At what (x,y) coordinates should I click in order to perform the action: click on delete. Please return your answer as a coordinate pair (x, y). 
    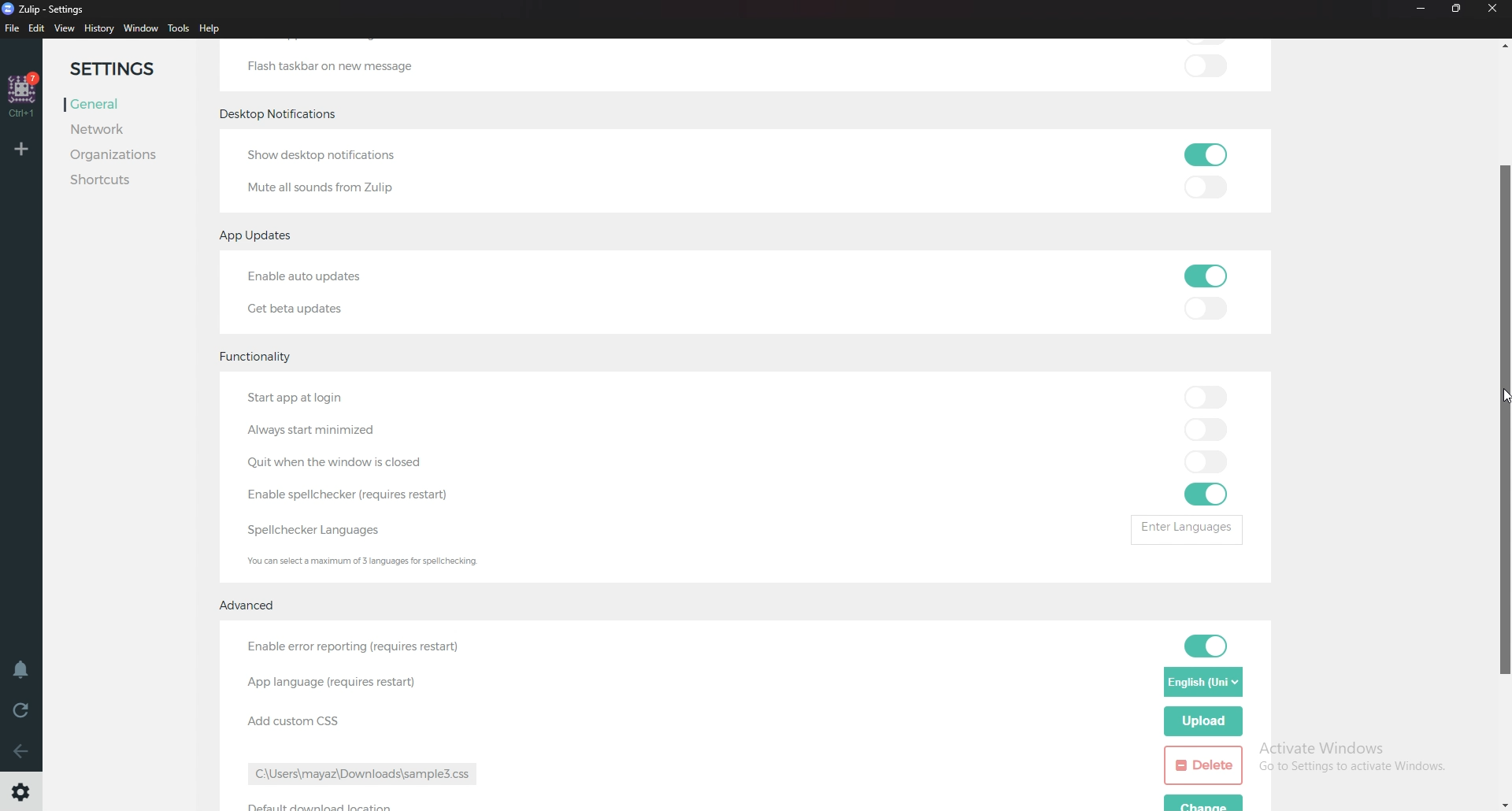
    Looking at the image, I should click on (1203, 766).